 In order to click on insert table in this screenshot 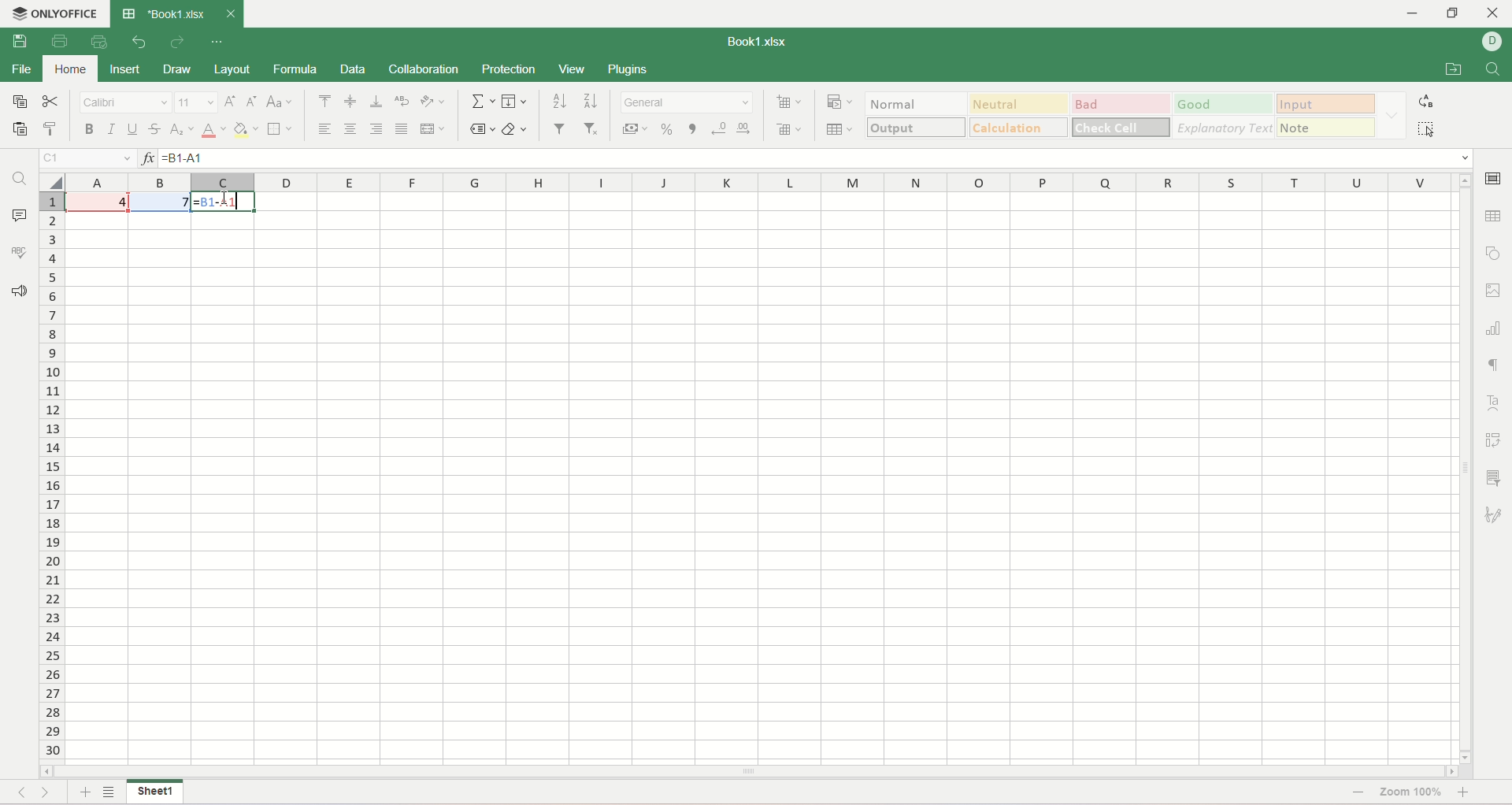, I will do `click(839, 127)`.